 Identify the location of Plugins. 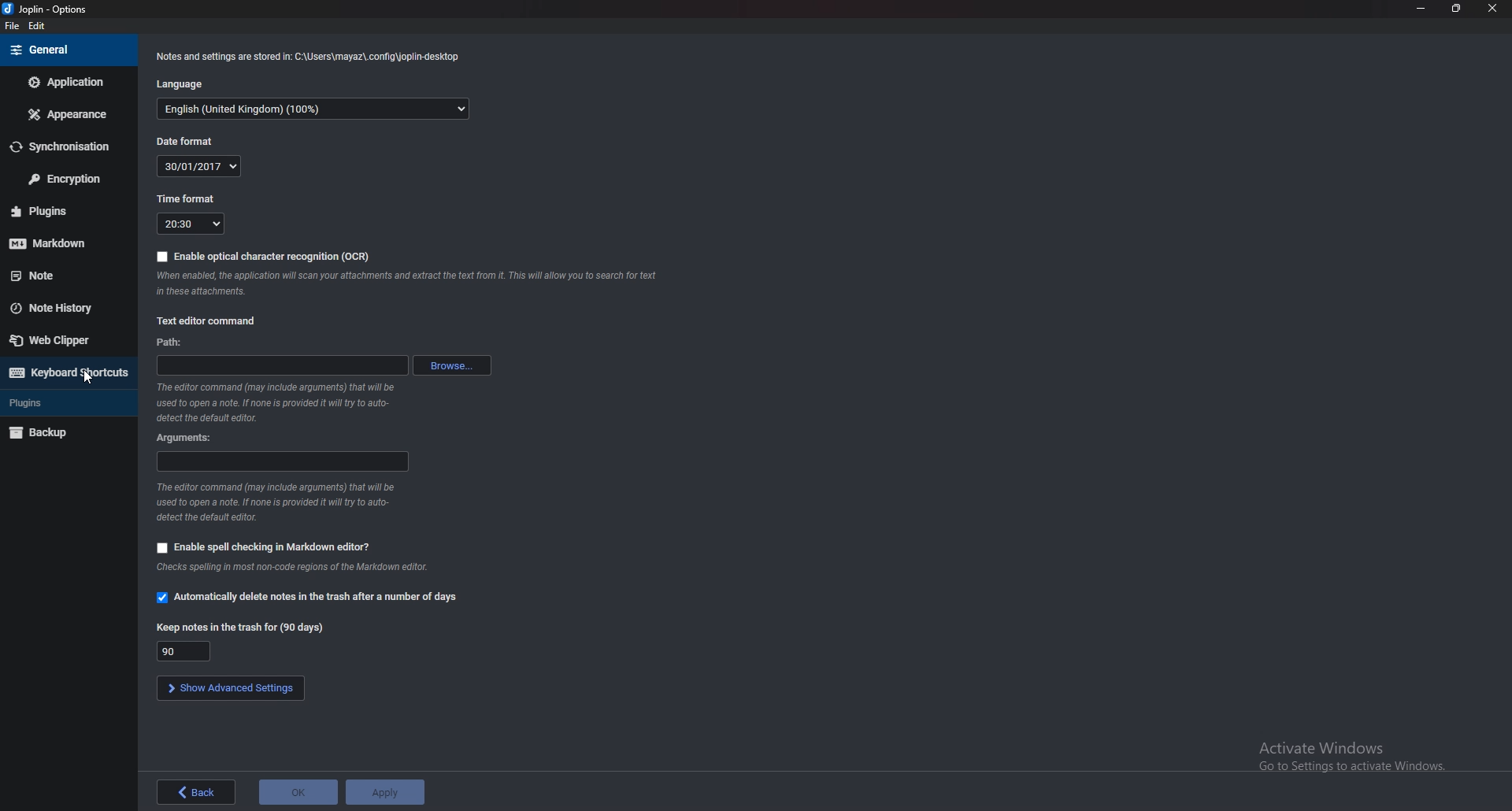
(57, 211).